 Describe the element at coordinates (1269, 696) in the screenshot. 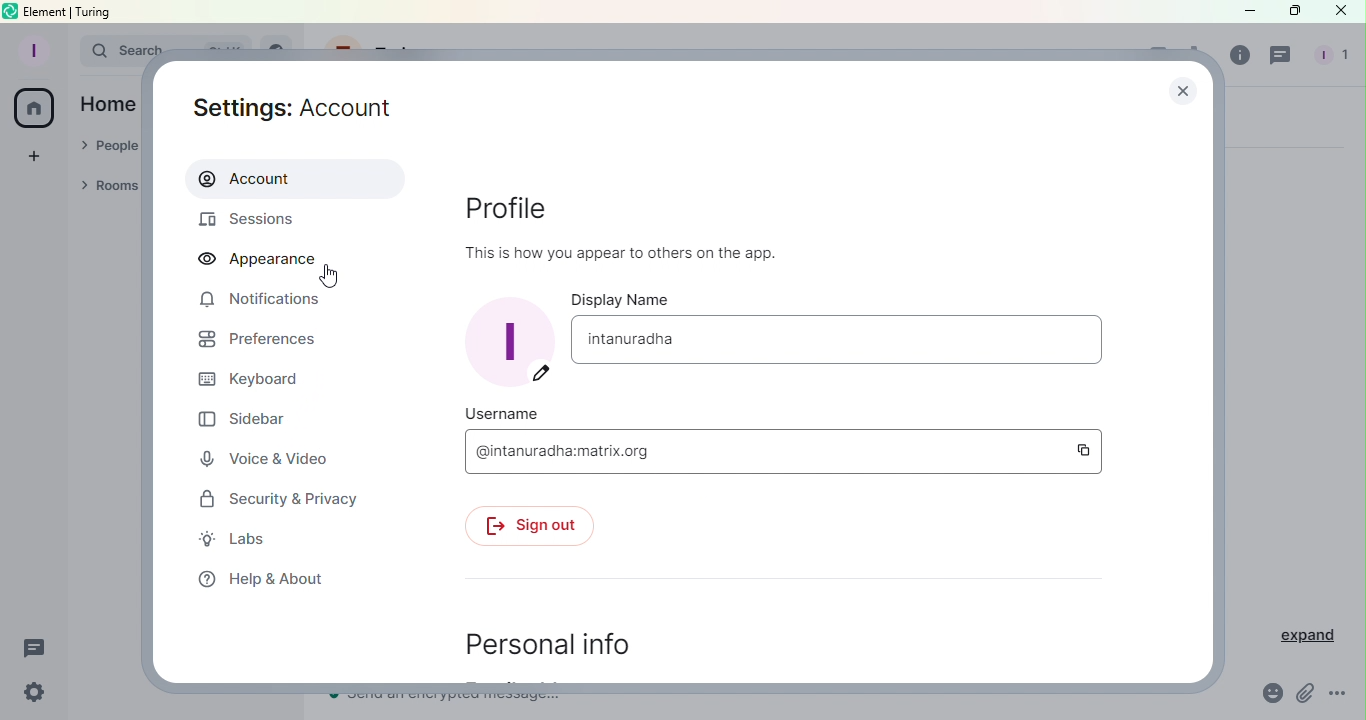

I see `Emoji` at that location.